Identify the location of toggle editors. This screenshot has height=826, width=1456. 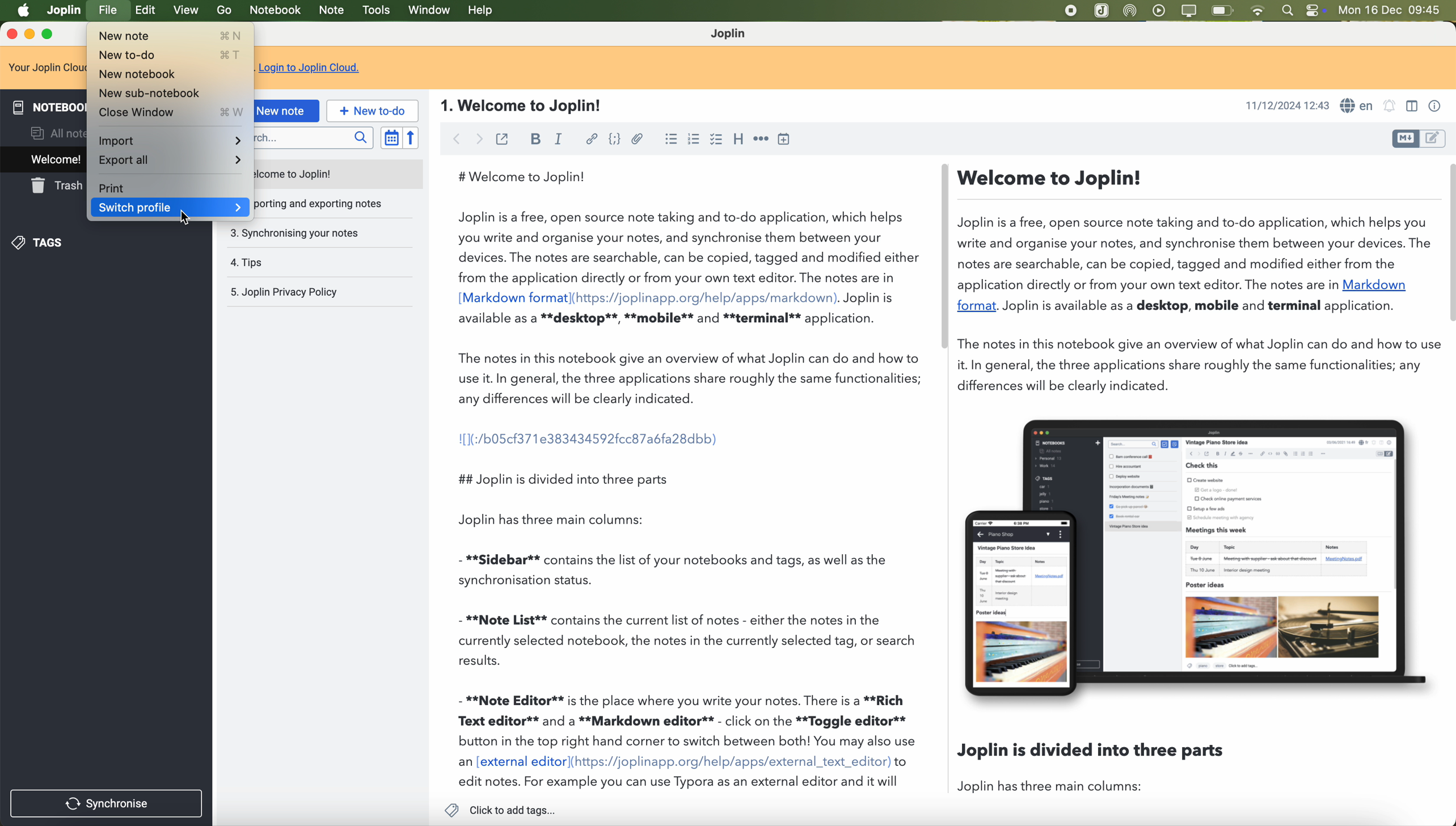
(1403, 139).